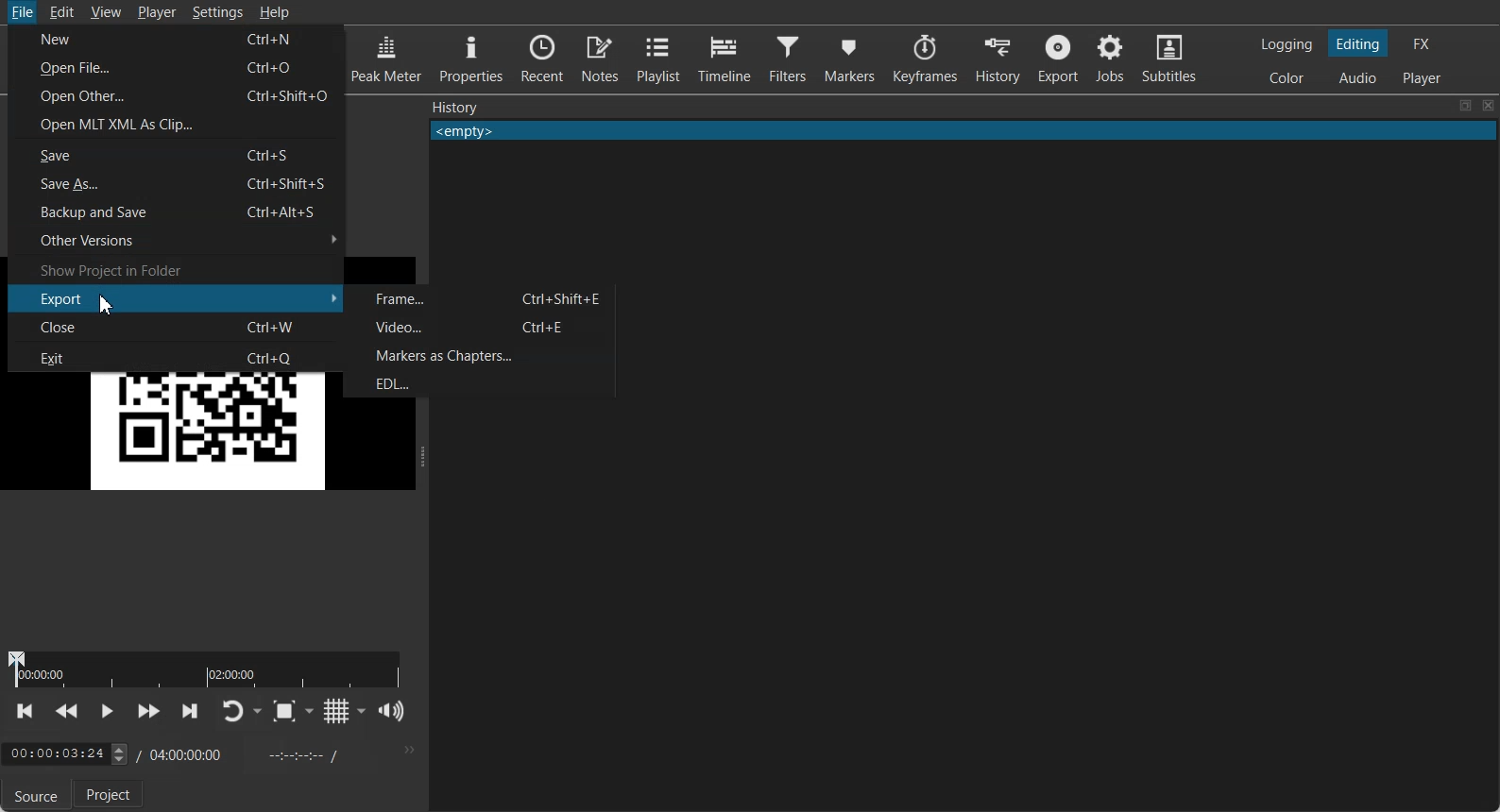 Image resolution: width=1500 pixels, height=812 pixels. Describe the element at coordinates (135, 755) in the screenshot. I see `/` at that location.